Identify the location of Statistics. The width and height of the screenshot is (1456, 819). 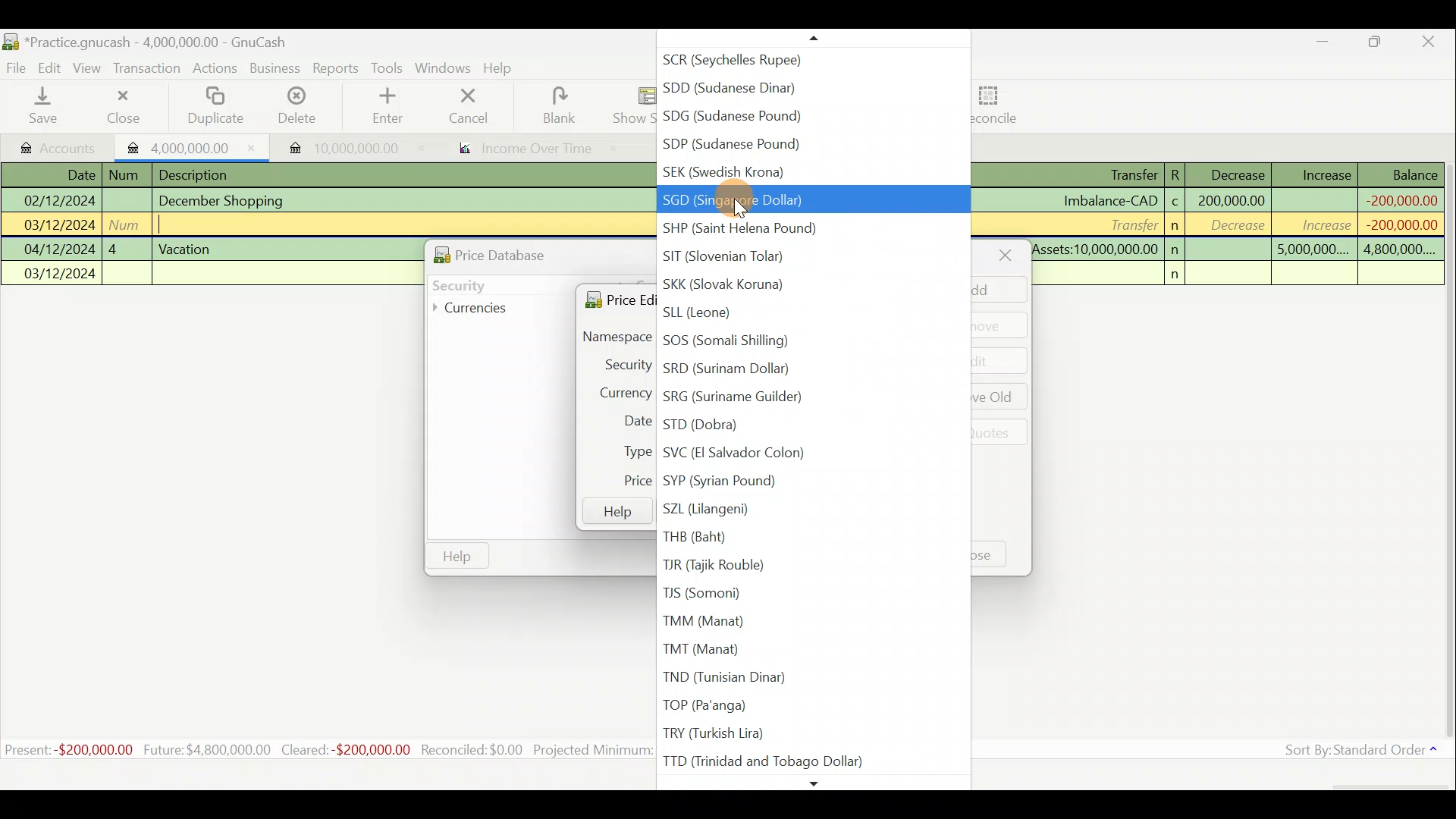
(323, 750).